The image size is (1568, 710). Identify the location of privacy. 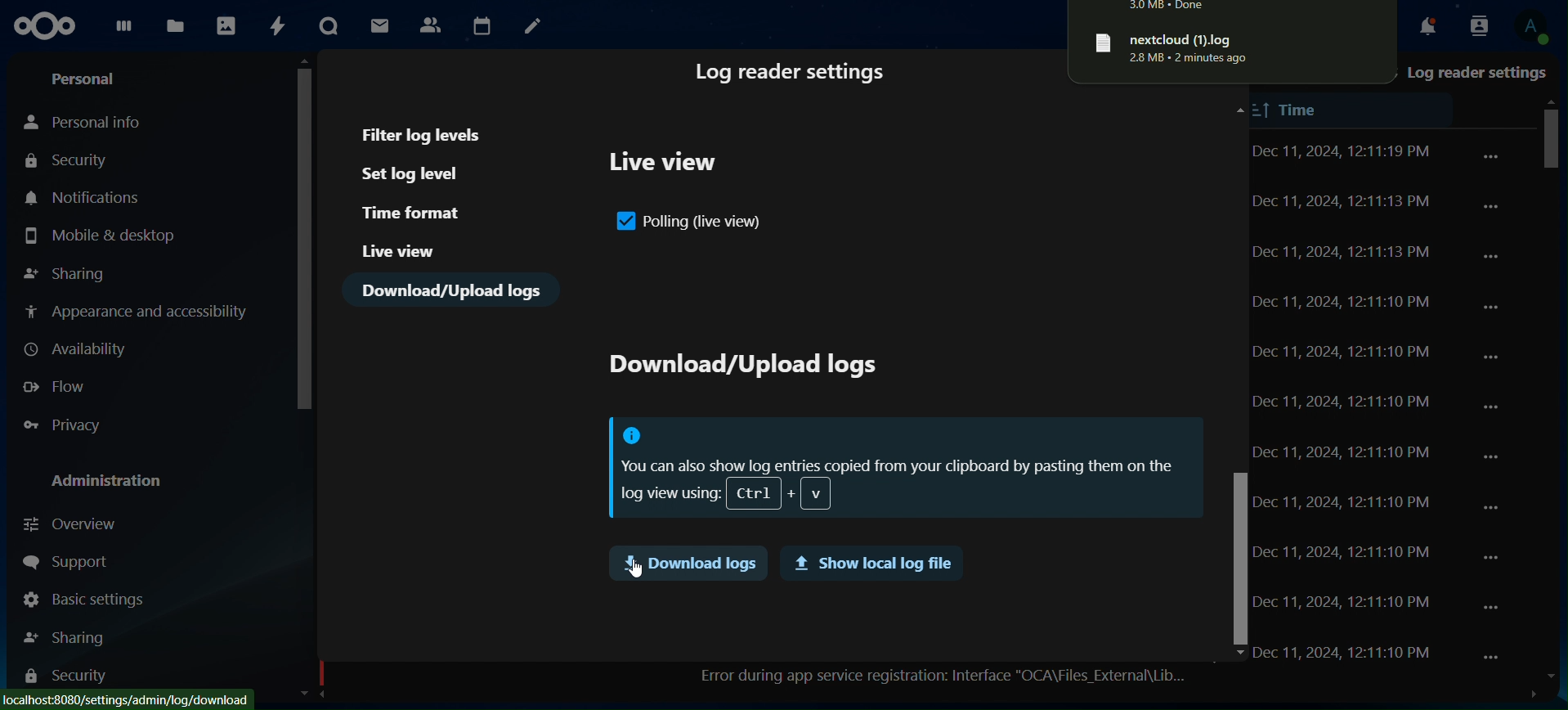
(69, 425).